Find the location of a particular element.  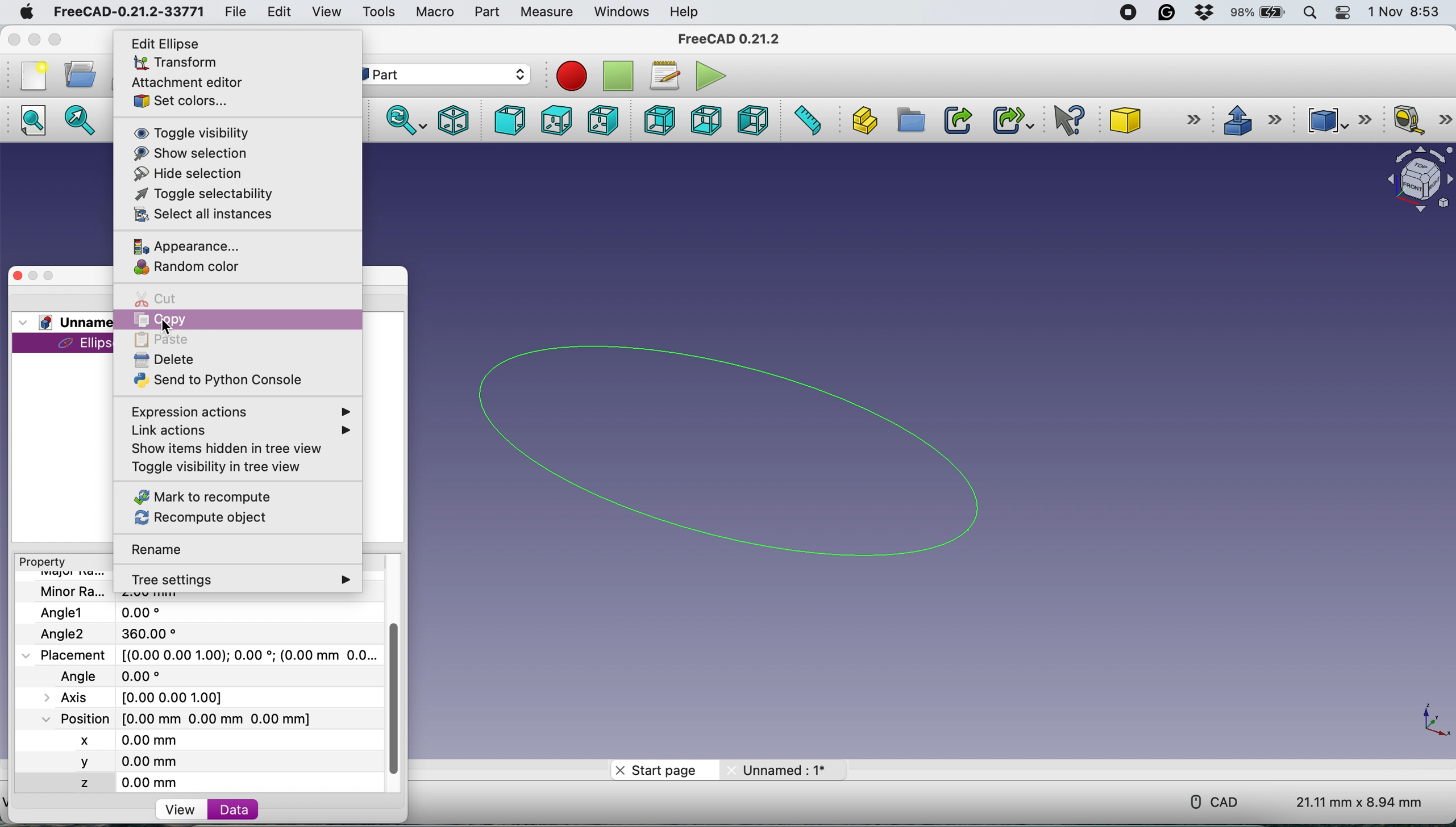

x is located at coordinates (101, 738).